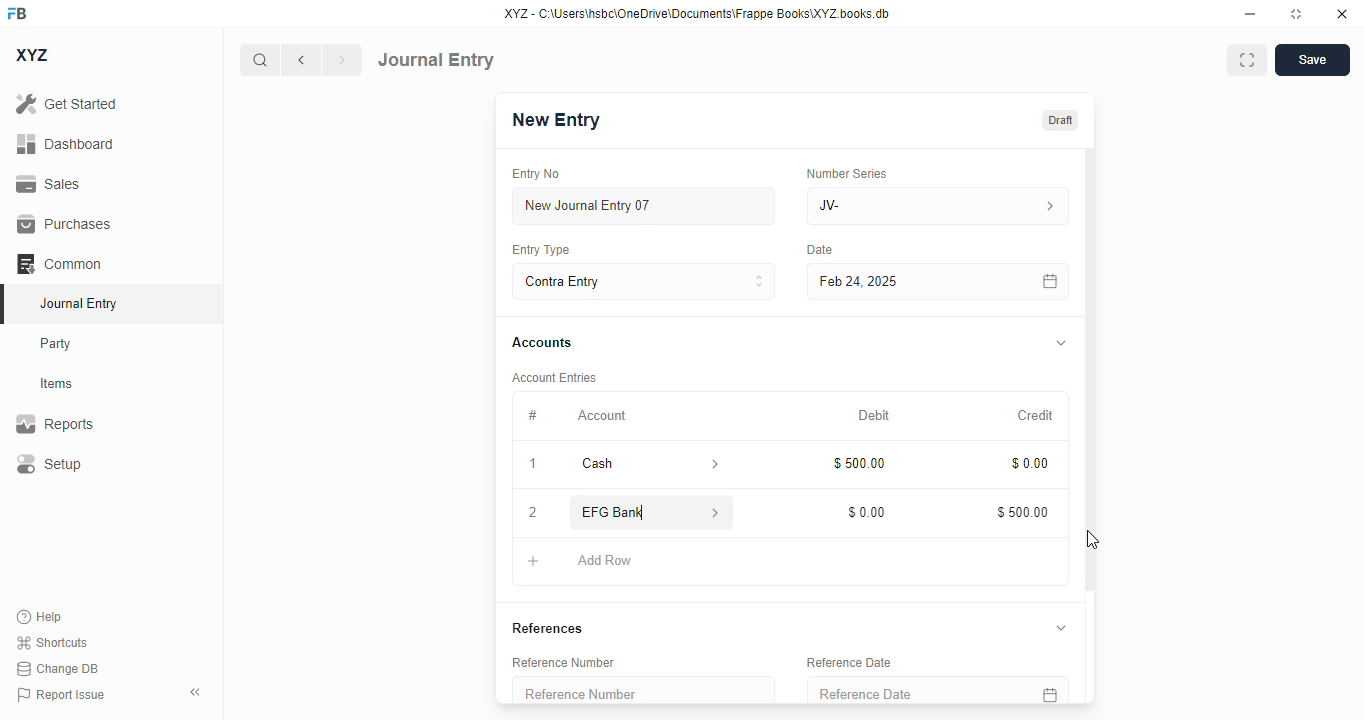 This screenshot has height=720, width=1364. Describe the element at coordinates (301, 60) in the screenshot. I see `previous` at that location.